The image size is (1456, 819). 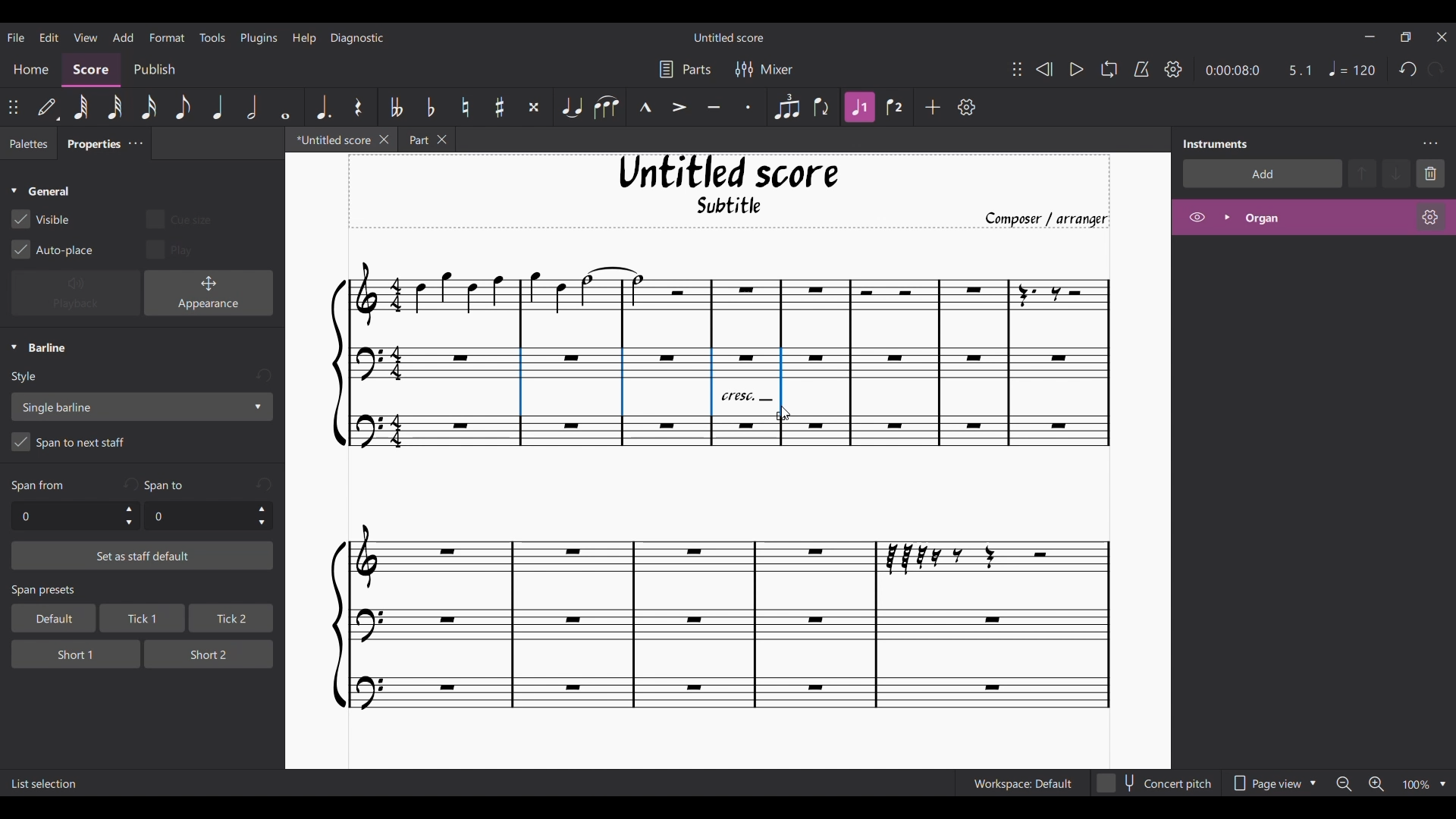 I want to click on Show interface in a smaller tab, so click(x=1405, y=37).